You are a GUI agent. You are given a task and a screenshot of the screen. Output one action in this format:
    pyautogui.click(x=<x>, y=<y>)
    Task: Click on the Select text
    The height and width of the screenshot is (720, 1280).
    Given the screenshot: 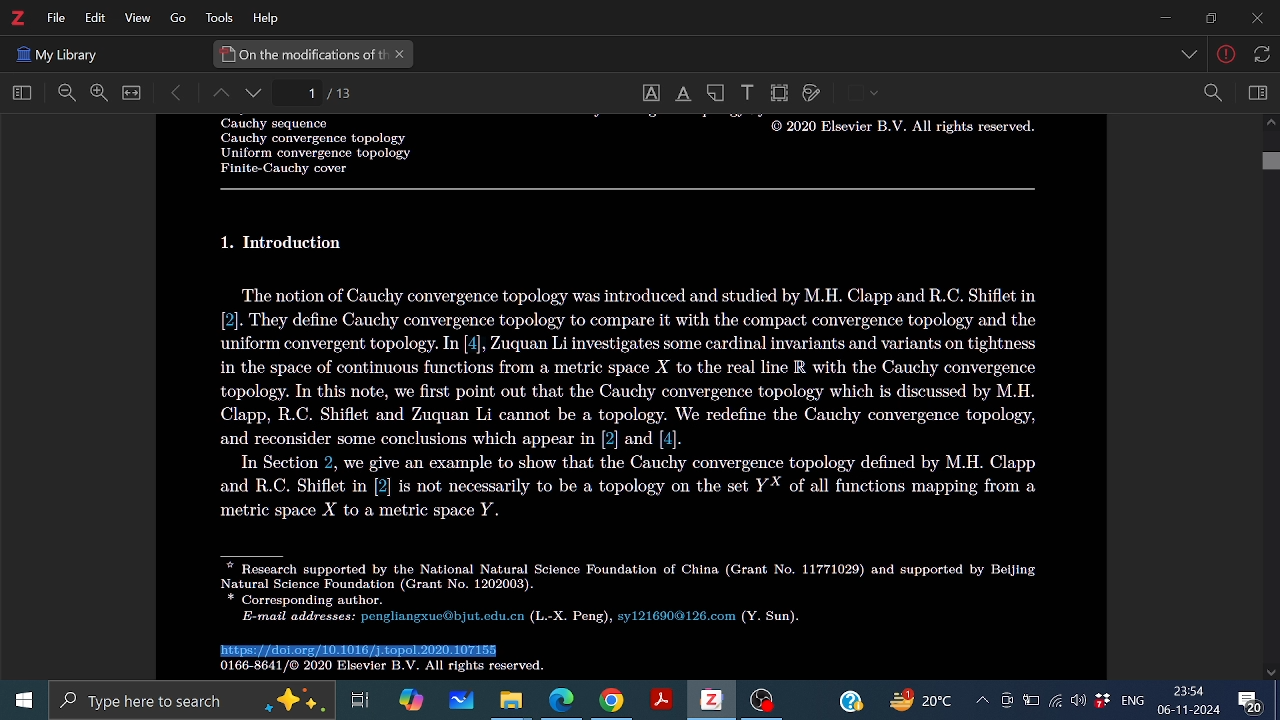 What is the action you would take?
    pyautogui.click(x=650, y=93)
    